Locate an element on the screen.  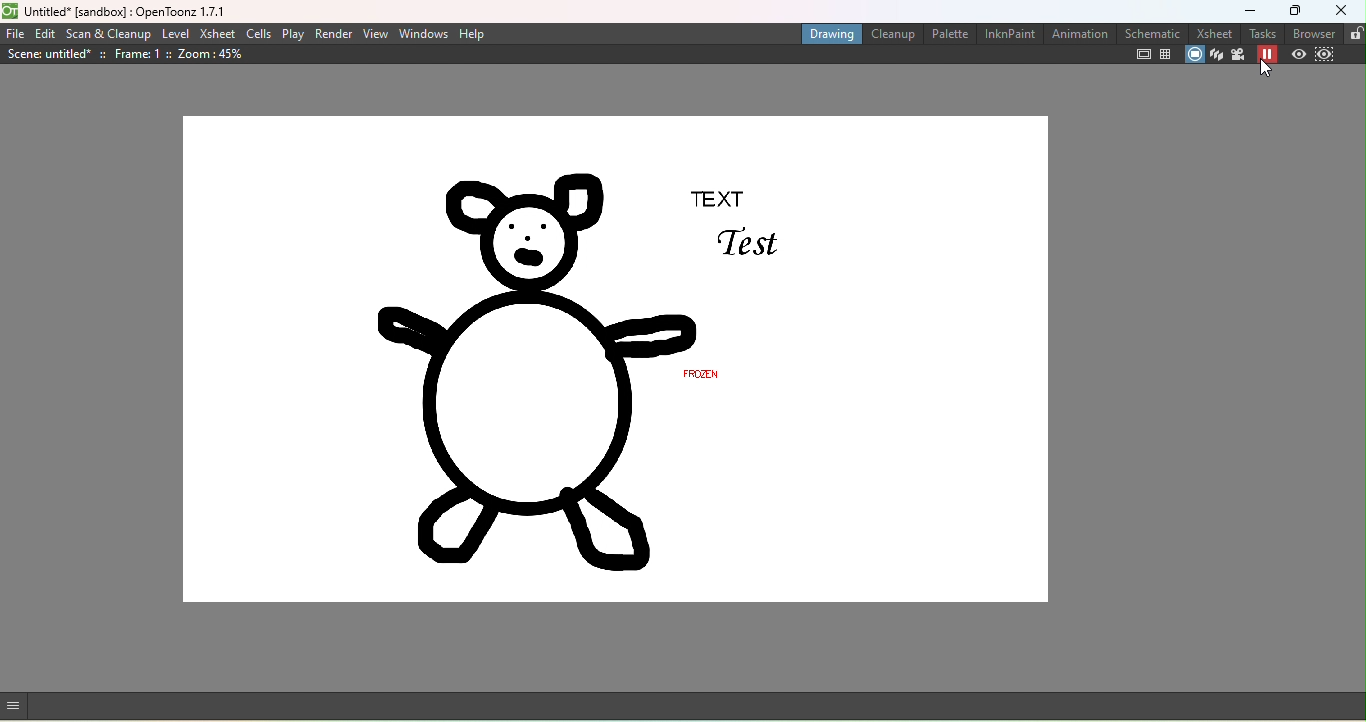
Level is located at coordinates (174, 34).